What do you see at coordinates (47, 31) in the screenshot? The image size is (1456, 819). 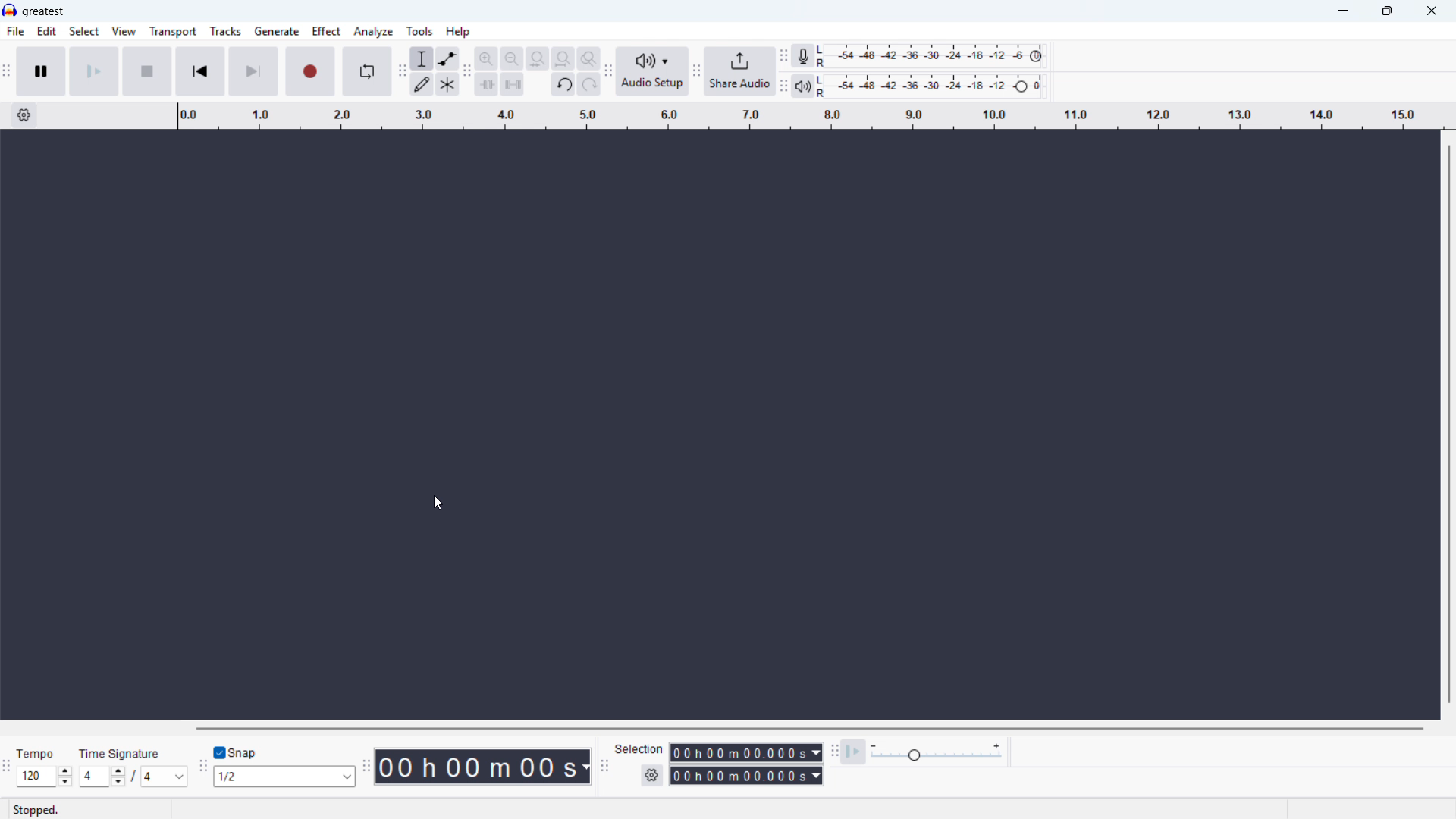 I see `Edit ` at bounding box center [47, 31].